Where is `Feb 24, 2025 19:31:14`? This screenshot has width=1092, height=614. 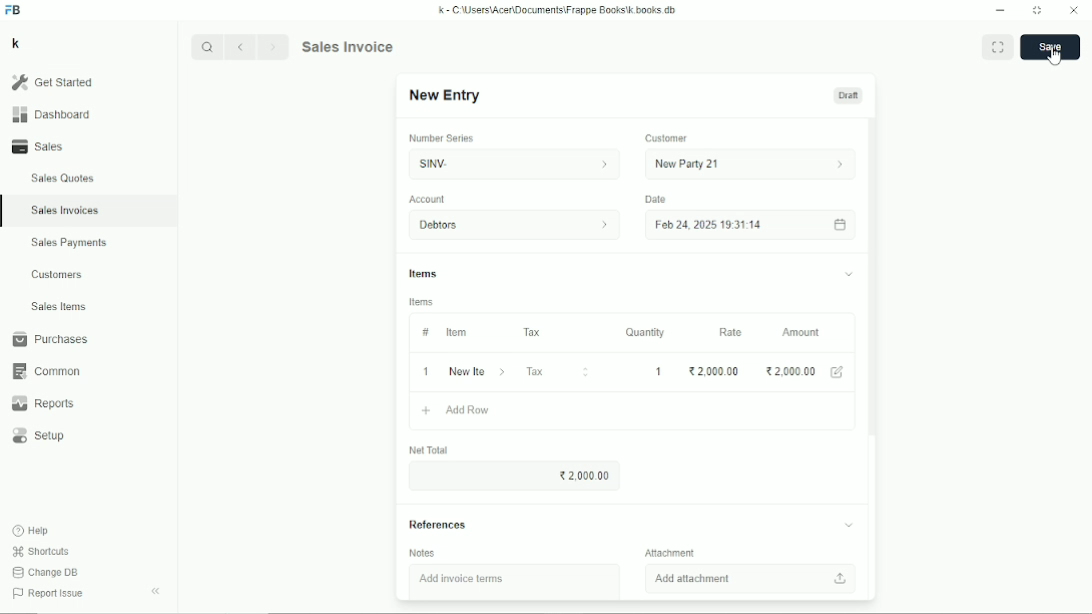
Feb 24, 2025 19:31:14 is located at coordinates (752, 225).